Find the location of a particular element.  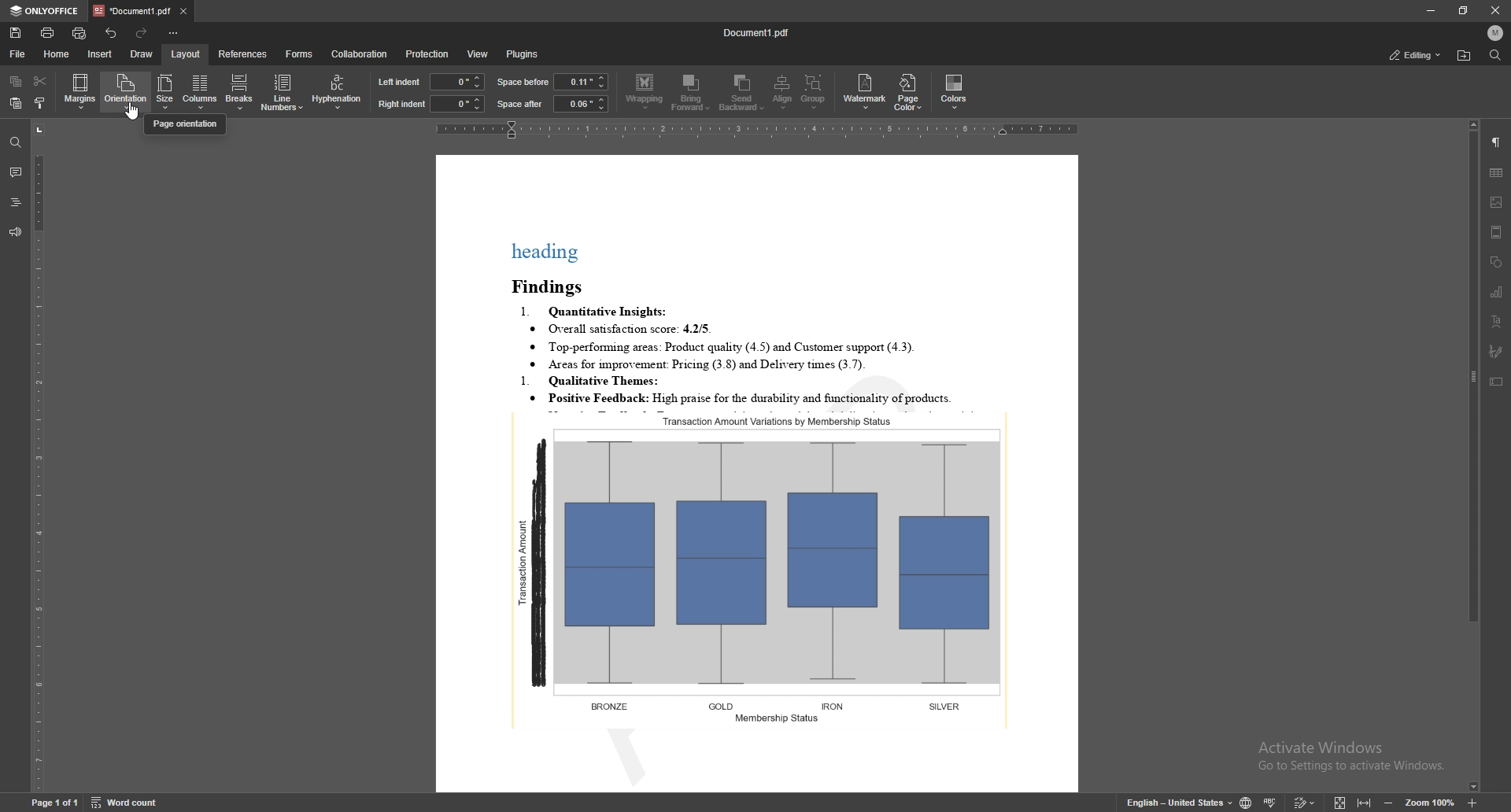

space after is located at coordinates (520, 104).